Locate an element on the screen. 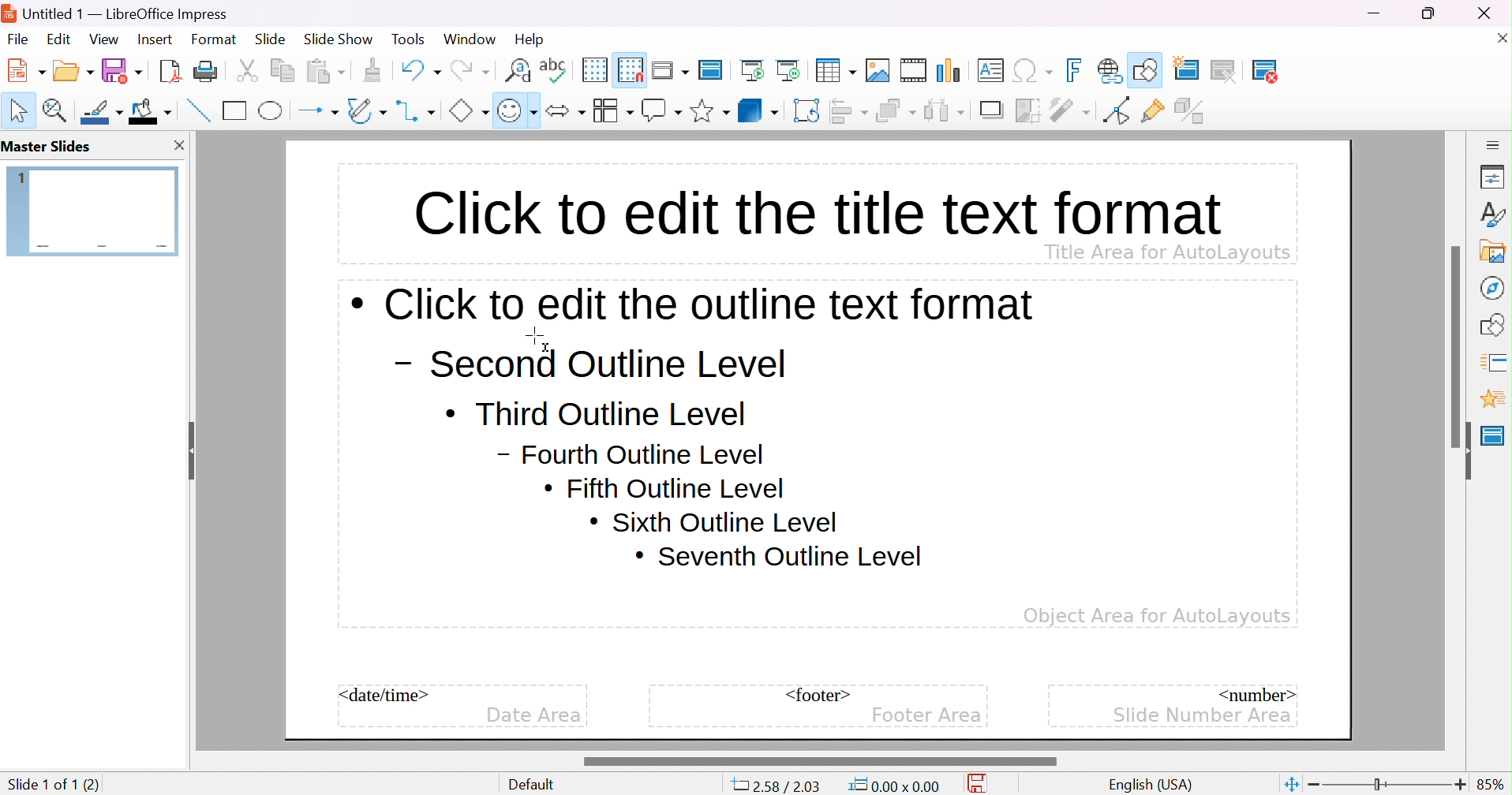 This screenshot has height=795, width=1512. new is located at coordinates (28, 69).